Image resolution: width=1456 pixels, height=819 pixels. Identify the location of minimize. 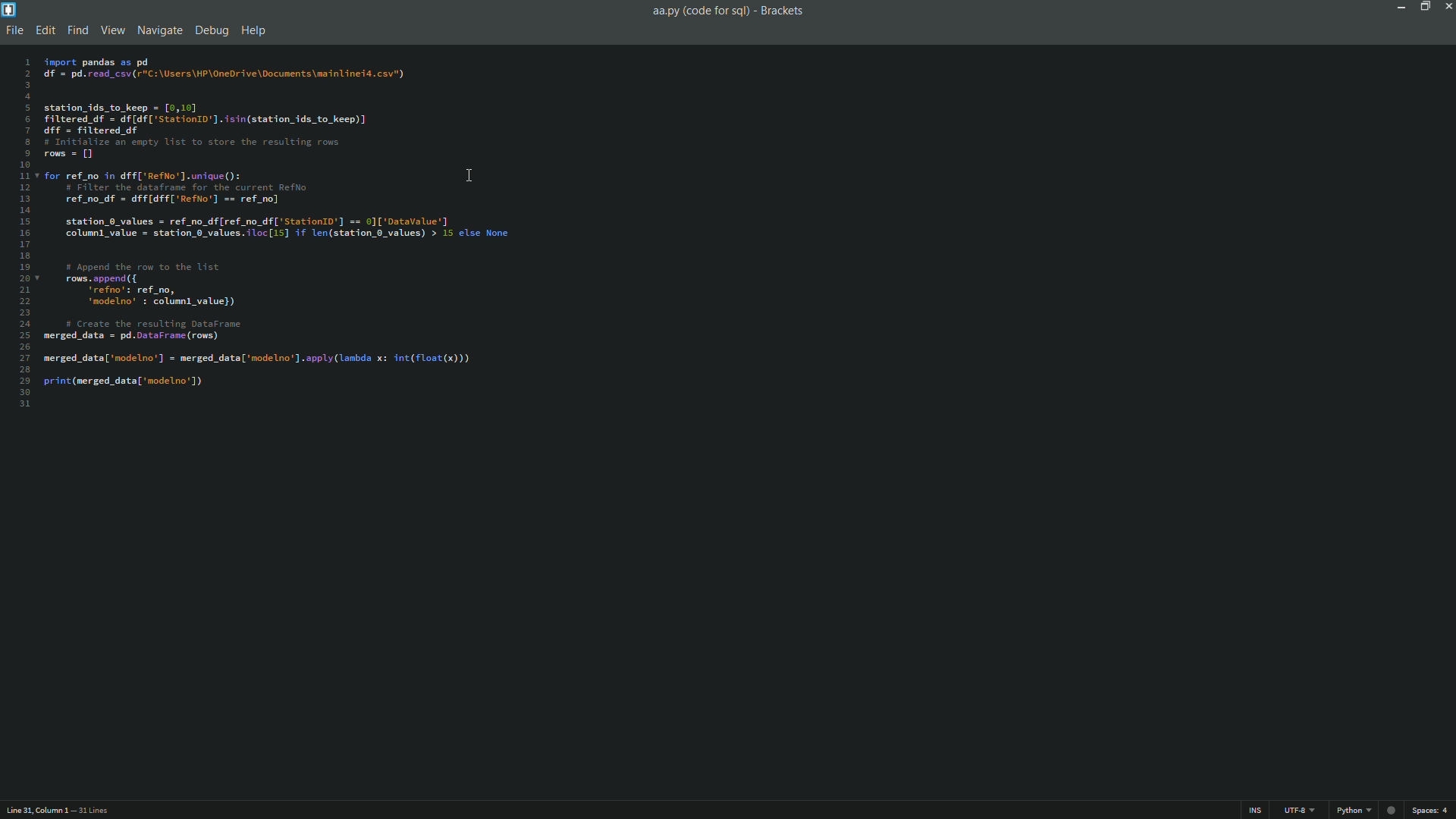
(1400, 7).